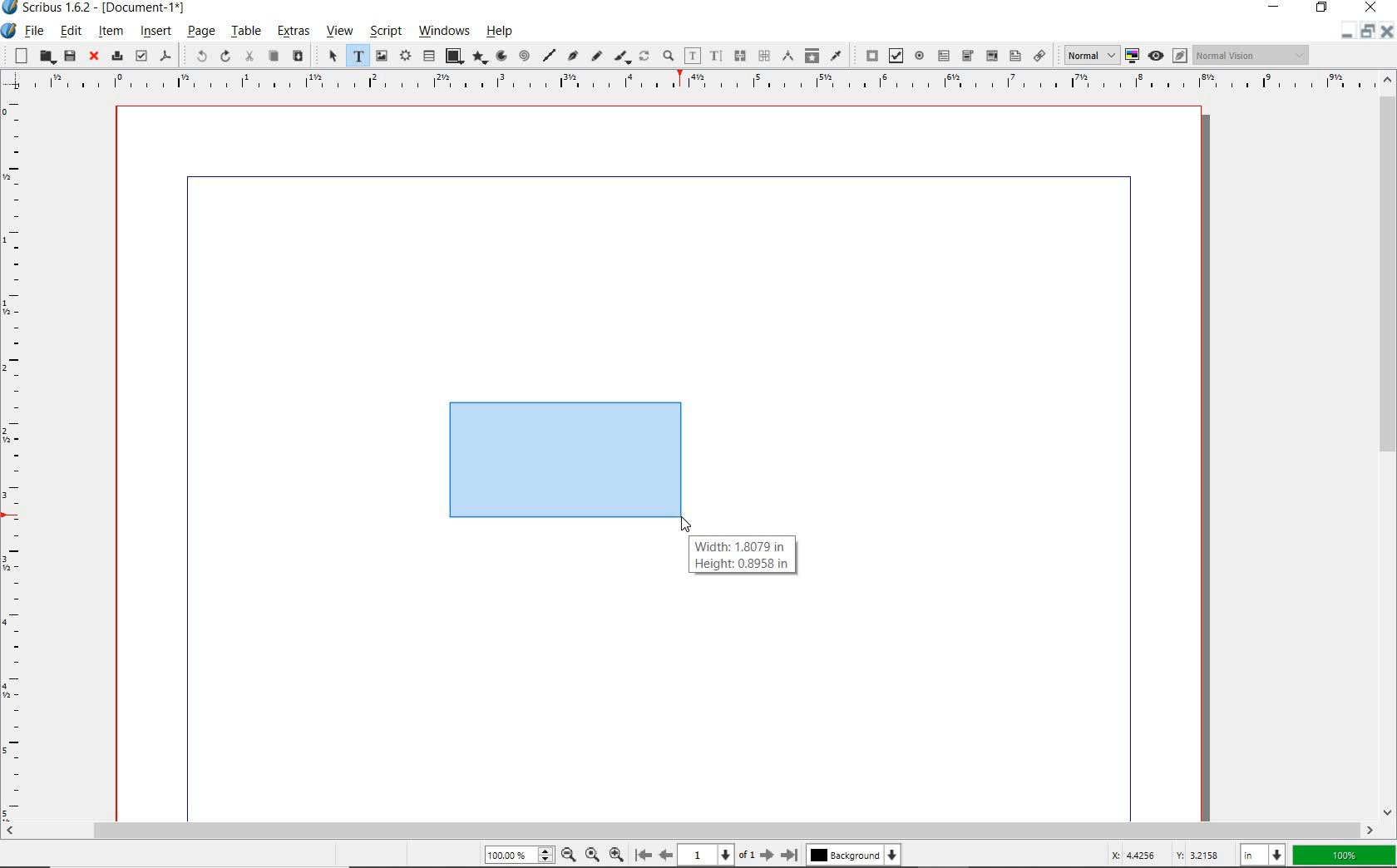 The image size is (1397, 868). I want to click on link annotation, so click(1041, 57).